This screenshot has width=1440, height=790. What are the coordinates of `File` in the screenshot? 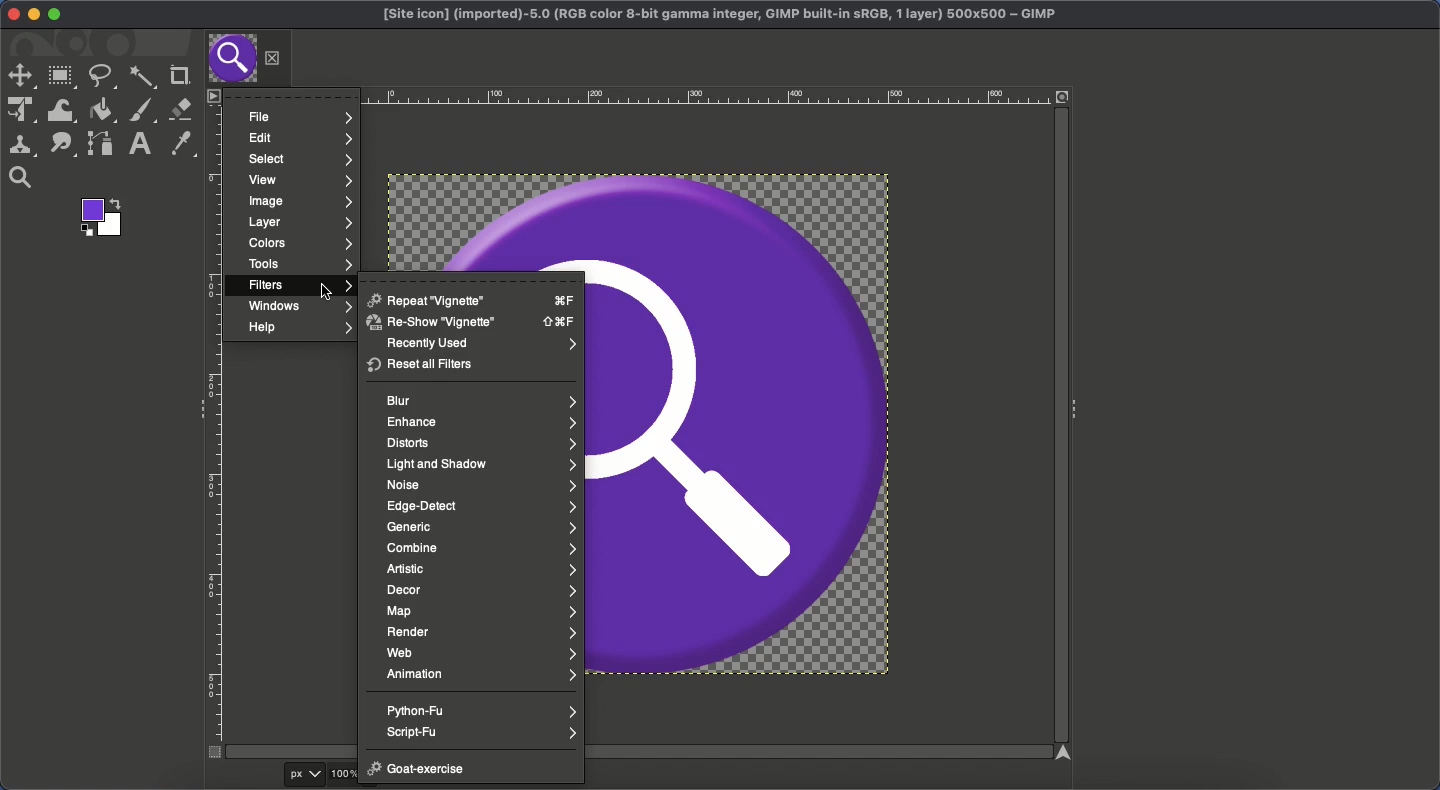 It's located at (303, 117).